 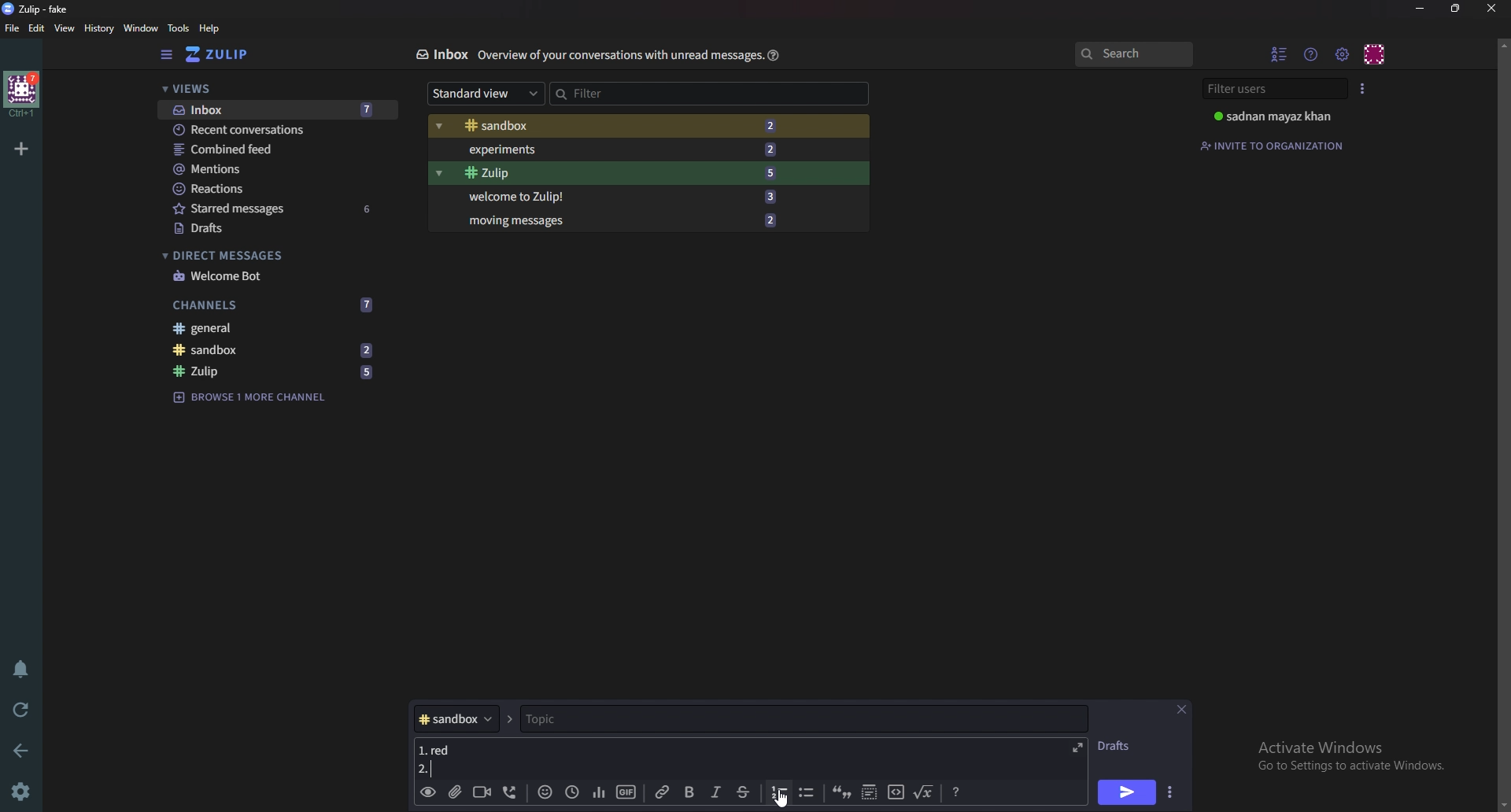 I want to click on Italic, so click(x=715, y=795).